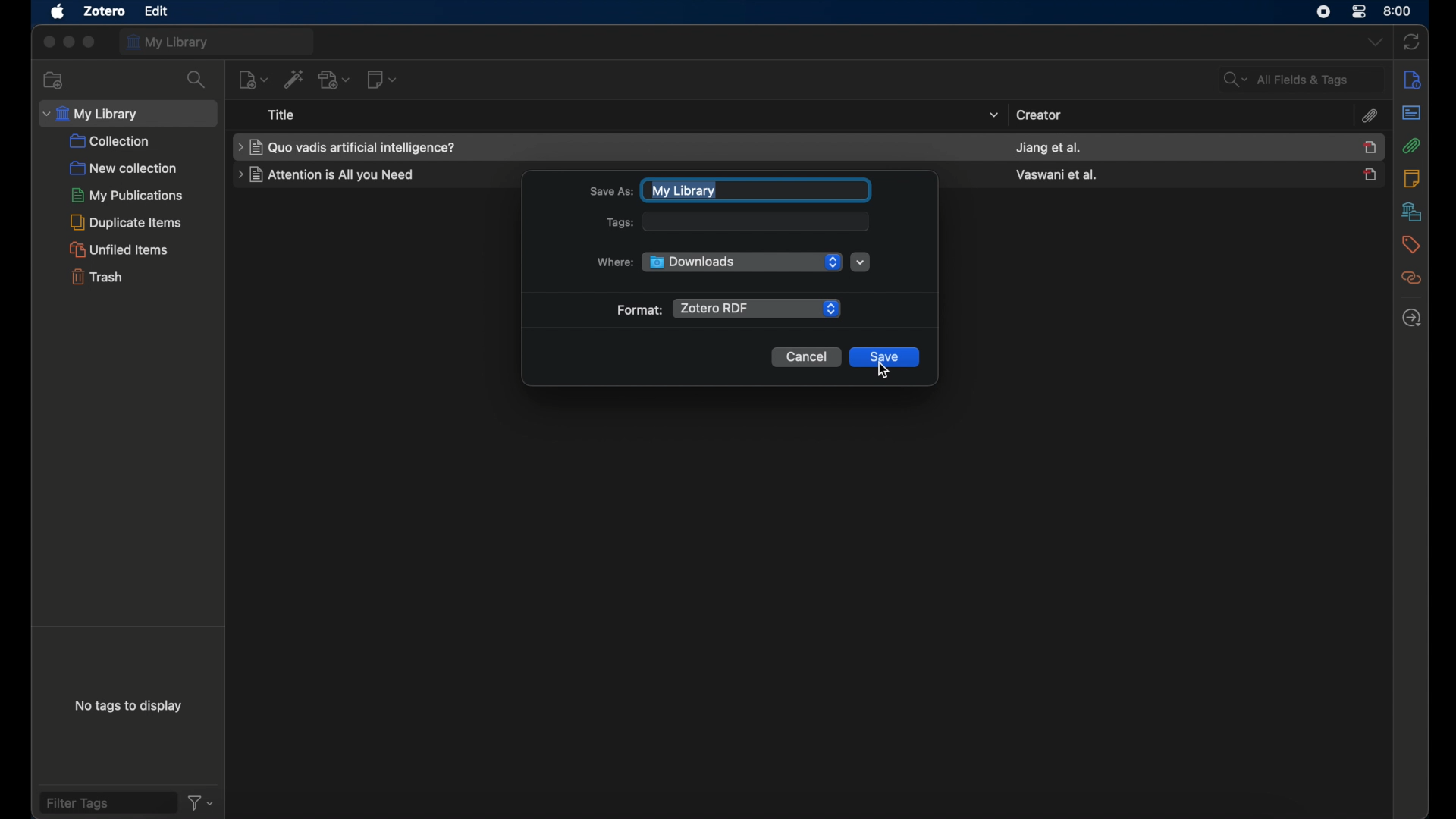 The image size is (1456, 819). Describe the element at coordinates (328, 174) in the screenshot. I see `item title` at that location.